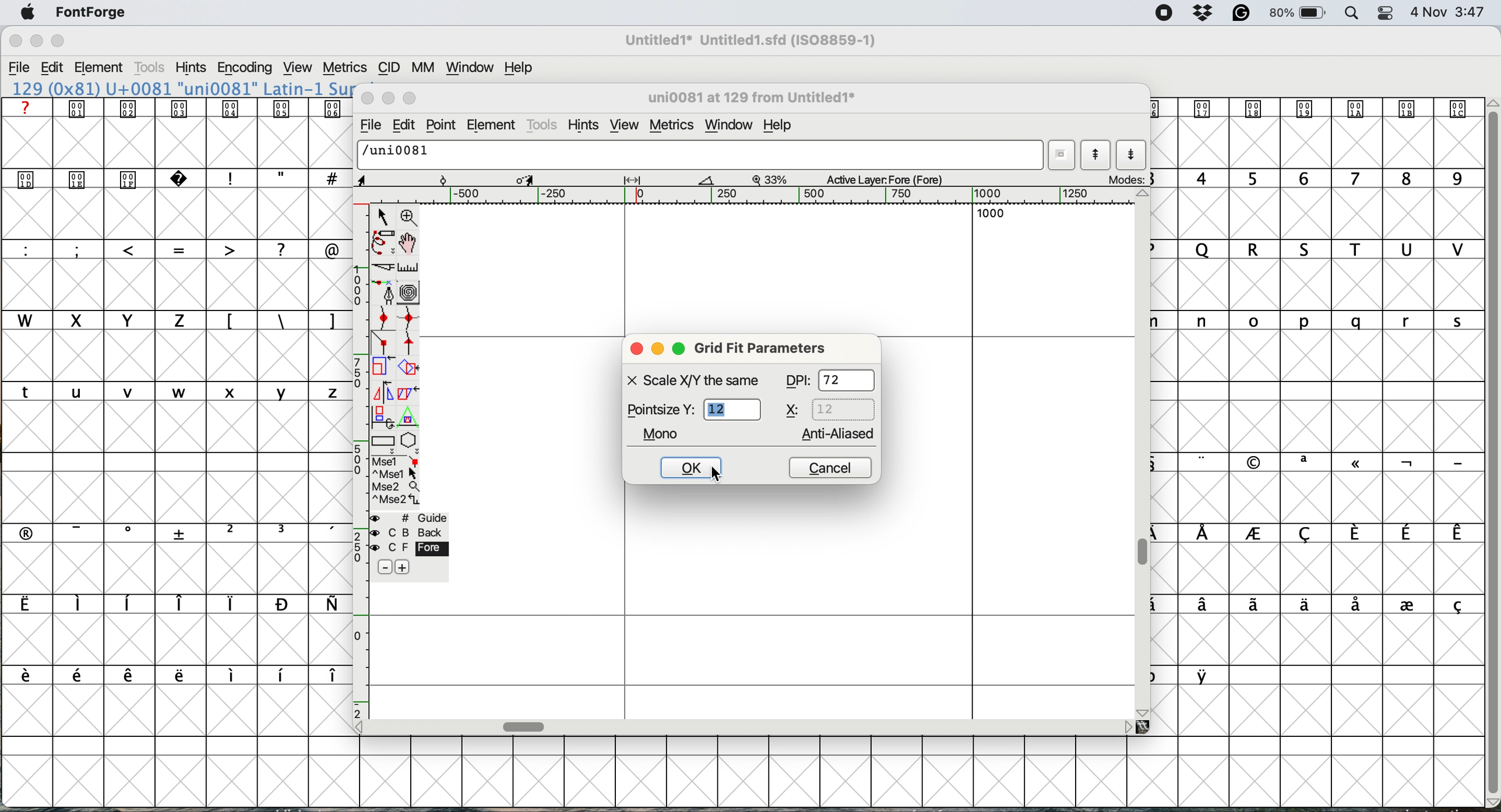 The height and width of the screenshot is (812, 1501). I want to click on Untitled1* Untitled1.sfd (ISO8859-1), so click(751, 40).